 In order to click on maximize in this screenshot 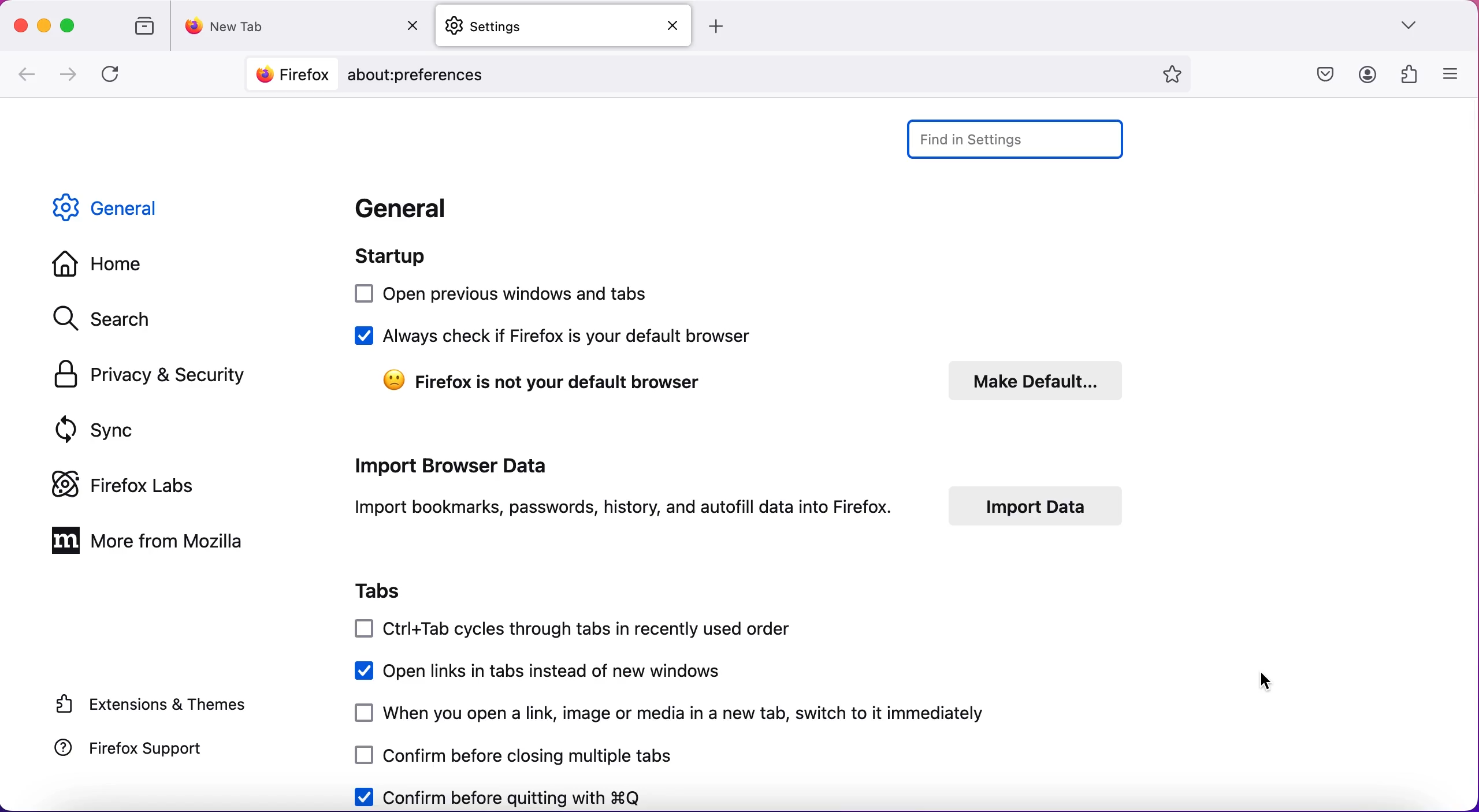, I will do `click(71, 25)`.